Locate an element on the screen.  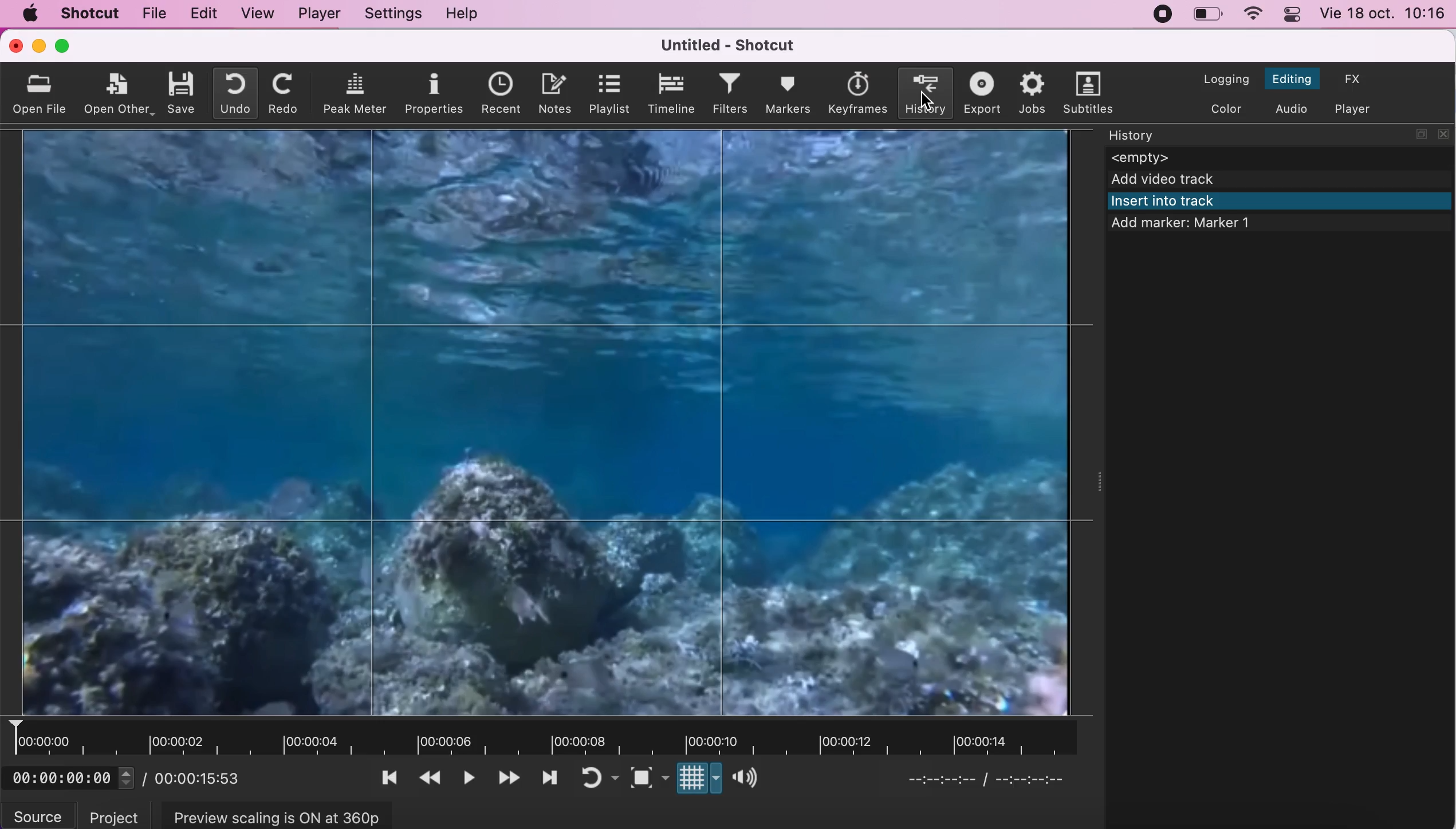
save is located at coordinates (182, 93).